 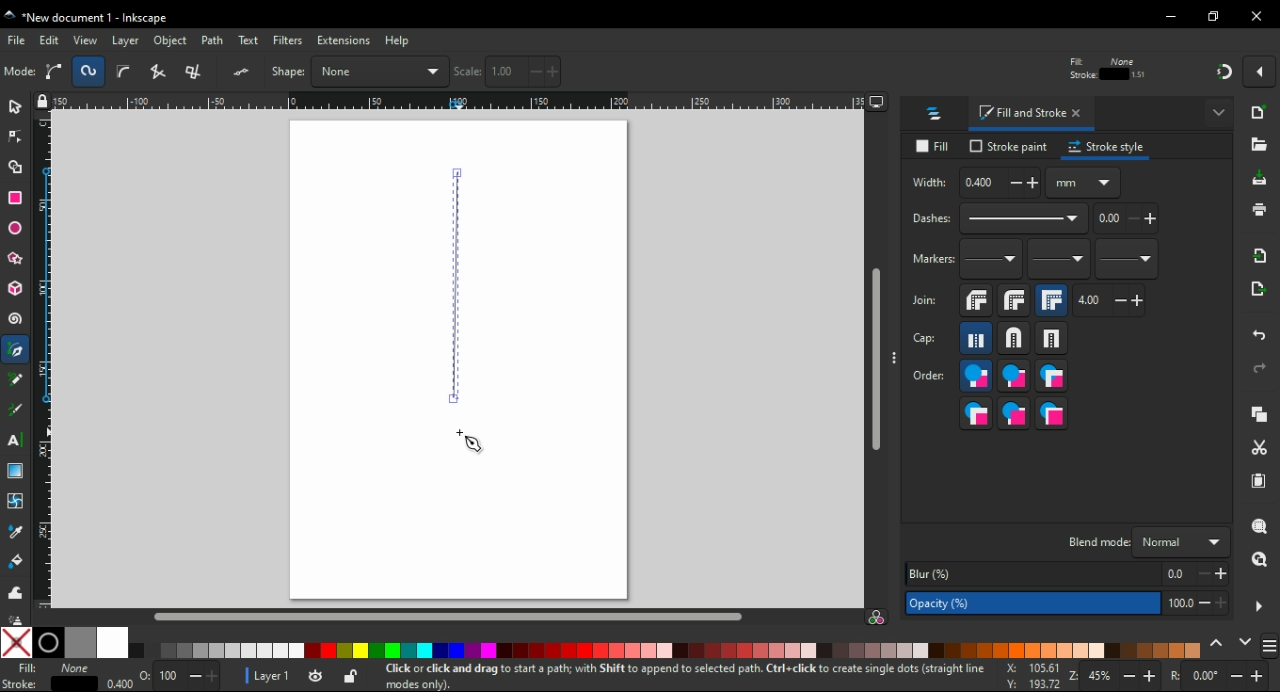 What do you see at coordinates (1051, 376) in the screenshot?
I see `fill,markers,strokes` at bounding box center [1051, 376].